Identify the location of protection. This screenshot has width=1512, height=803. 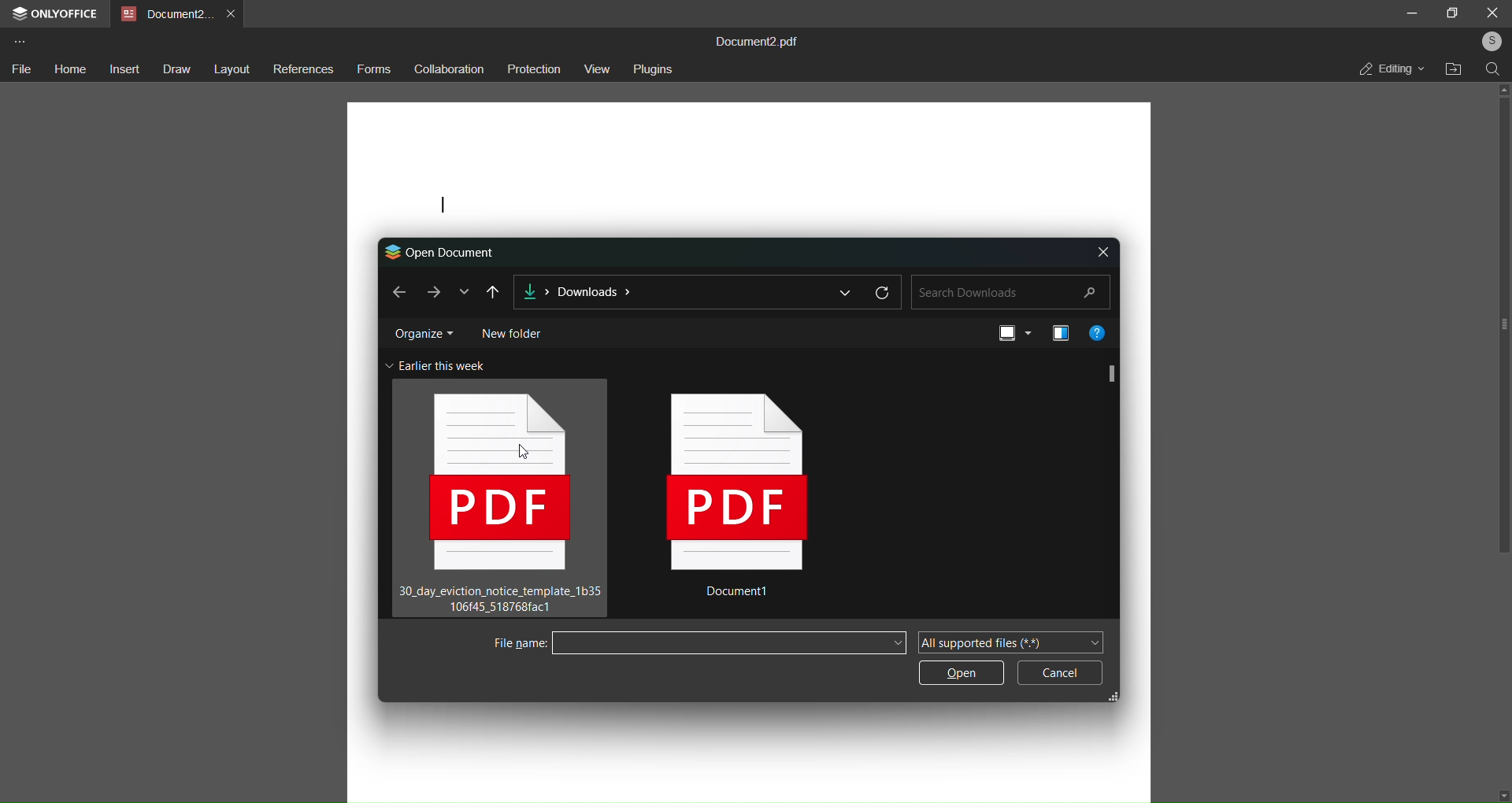
(532, 69).